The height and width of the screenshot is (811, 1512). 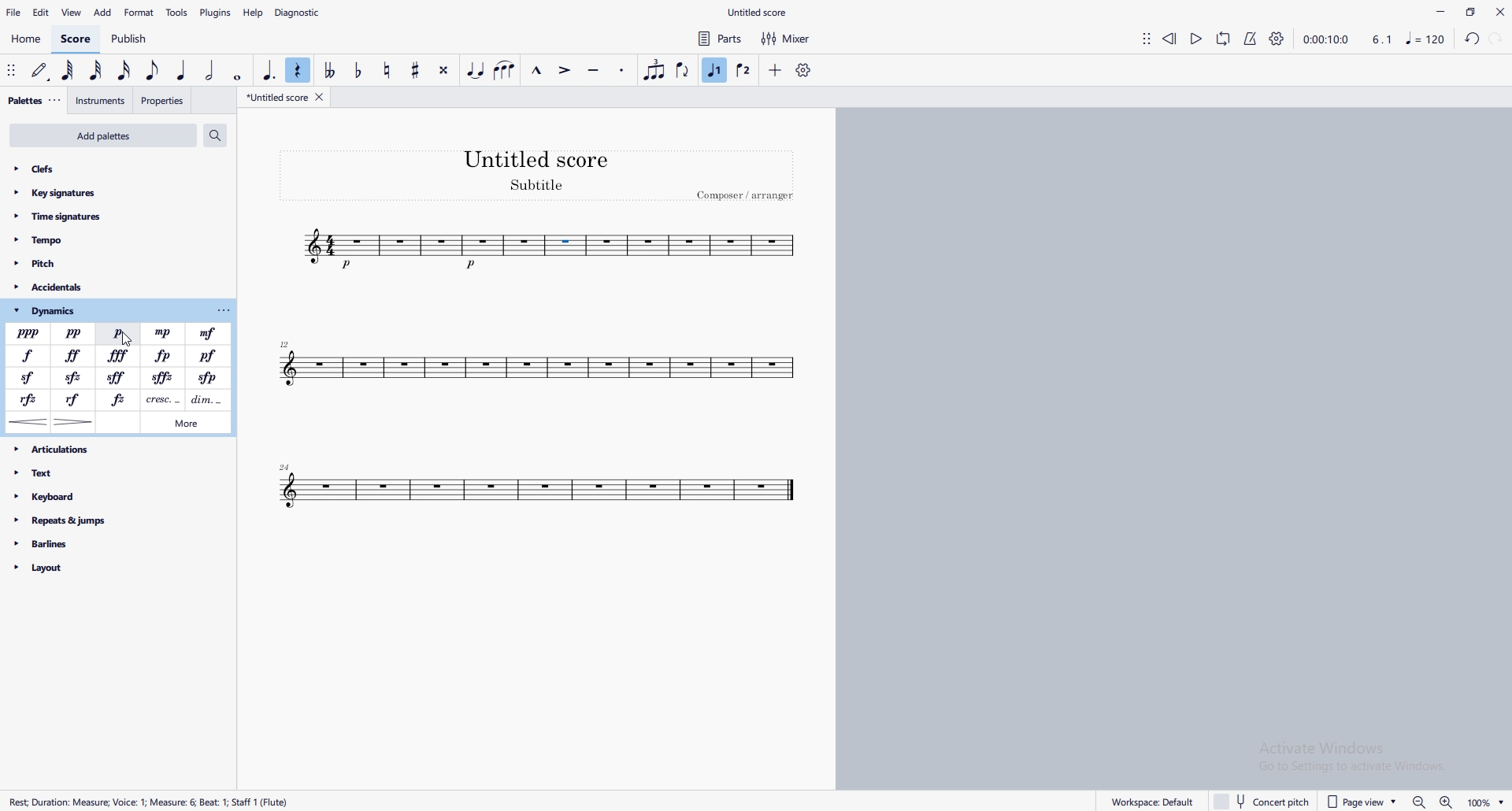 I want to click on format, so click(x=139, y=13).